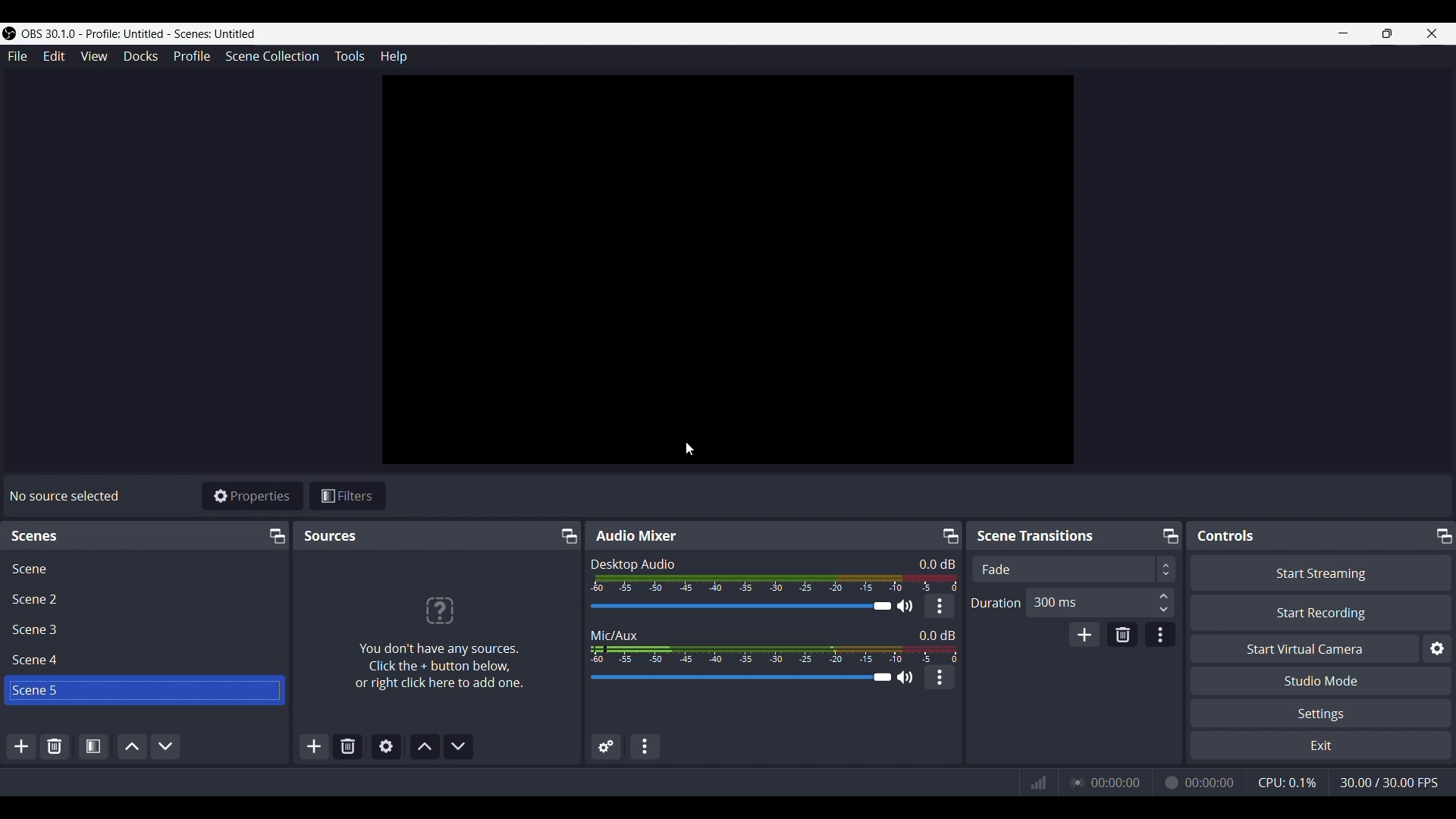  I want to click on Text, so click(937, 633).